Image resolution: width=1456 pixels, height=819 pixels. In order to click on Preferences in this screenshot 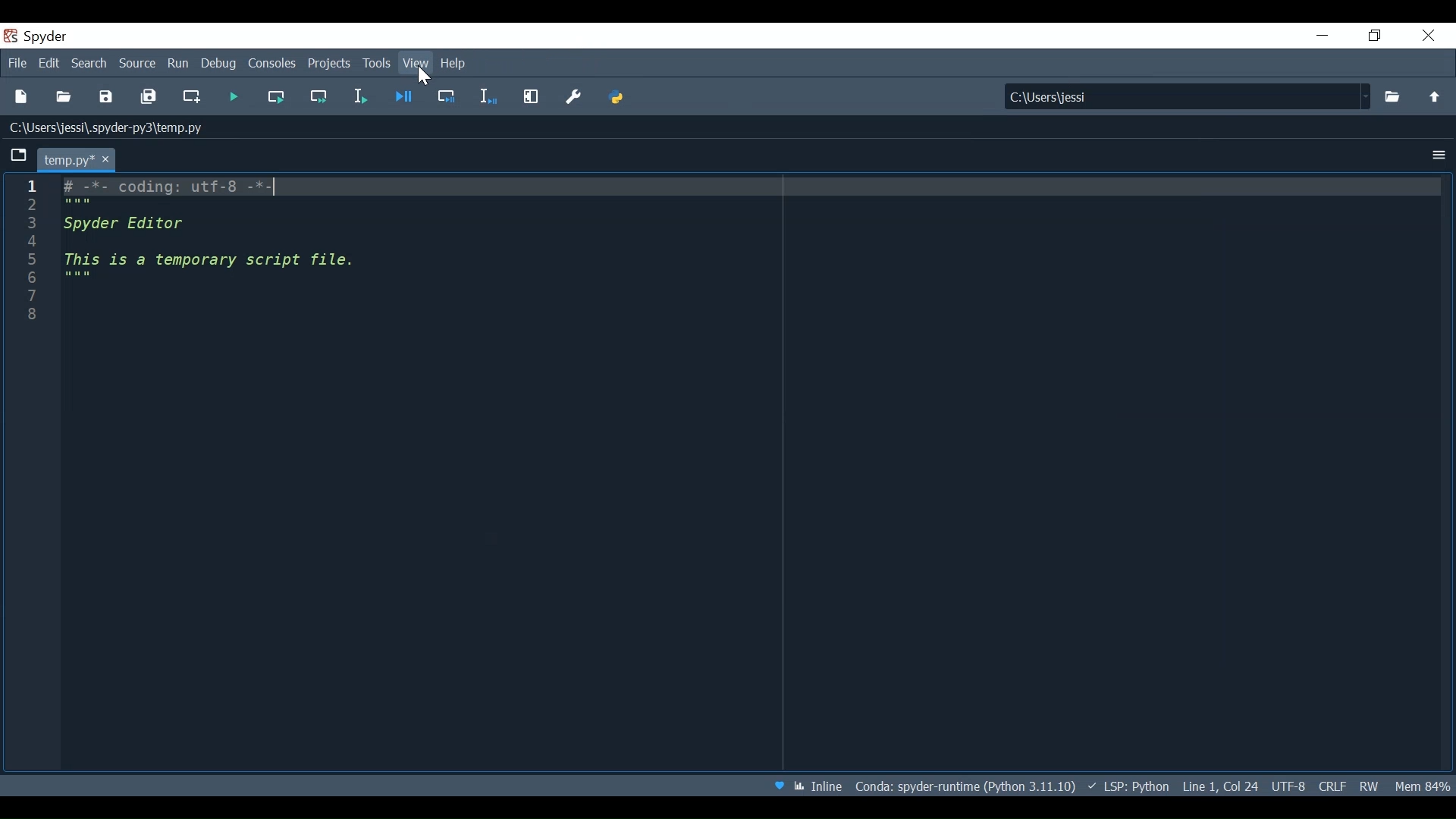, I will do `click(573, 96)`.